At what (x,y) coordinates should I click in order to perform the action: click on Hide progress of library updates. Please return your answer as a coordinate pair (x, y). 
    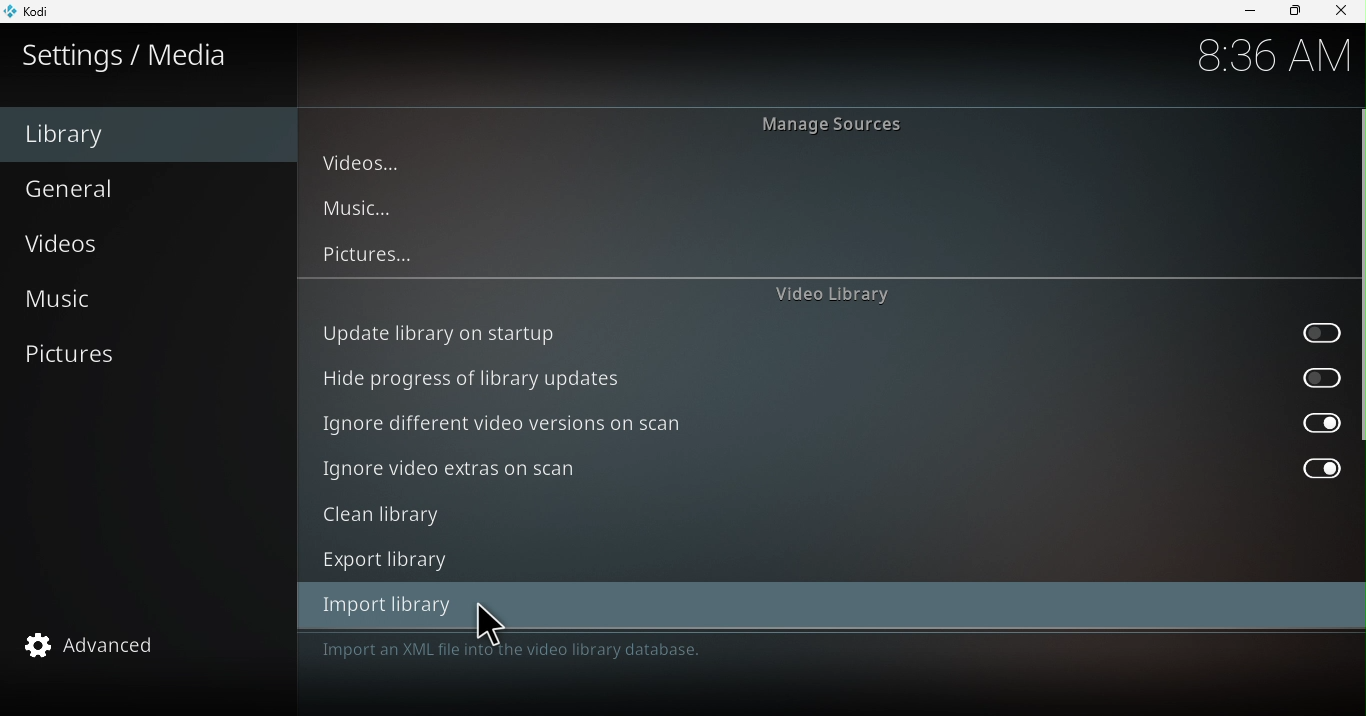
    Looking at the image, I should click on (834, 376).